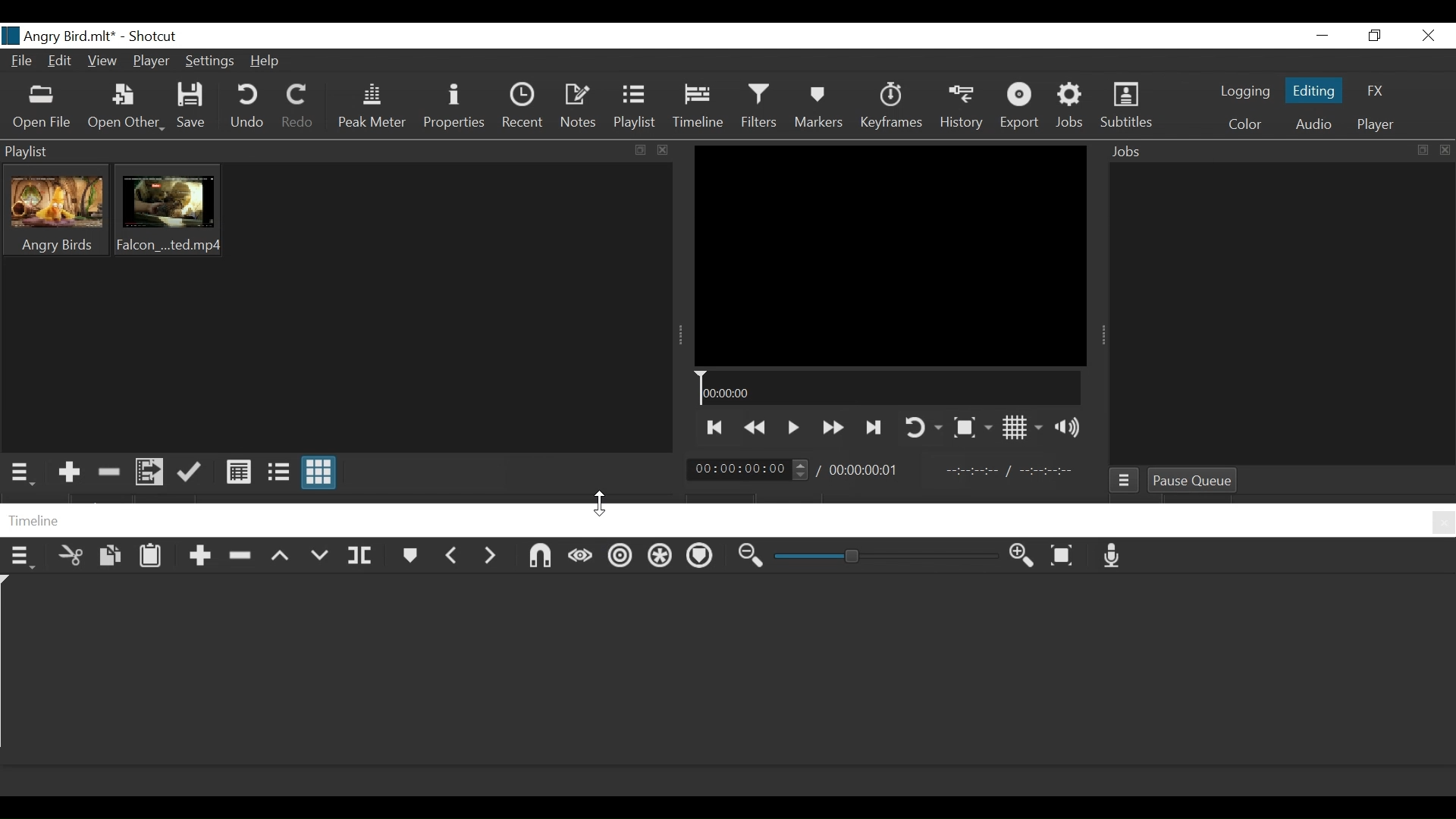  What do you see at coordinates (151, 472) in the screenshot?
I see `Add files to the playlist` at bounding box center [151, 472].